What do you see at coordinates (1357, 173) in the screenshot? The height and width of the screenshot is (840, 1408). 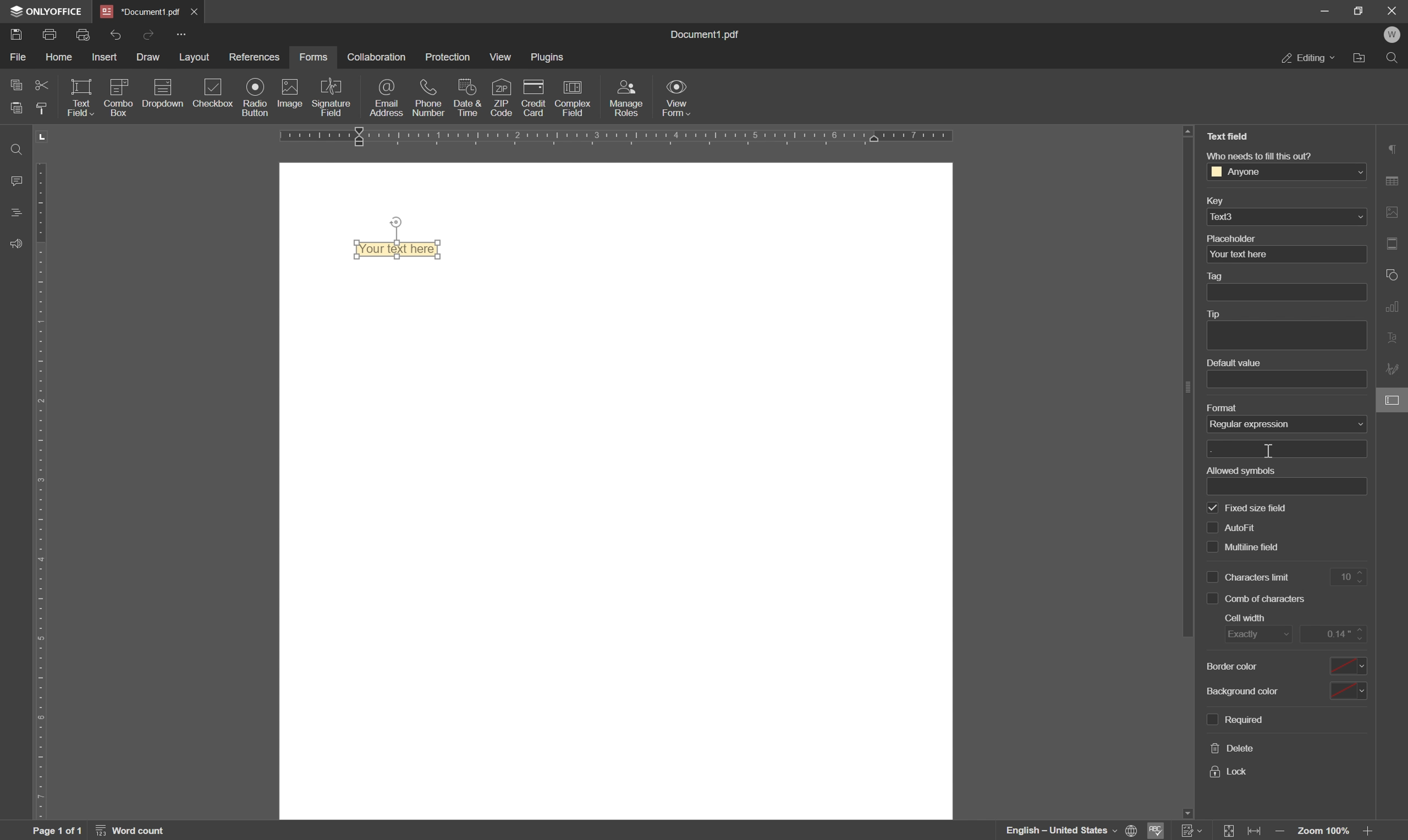 I see `drop down` at bounding box center [1357, 173].